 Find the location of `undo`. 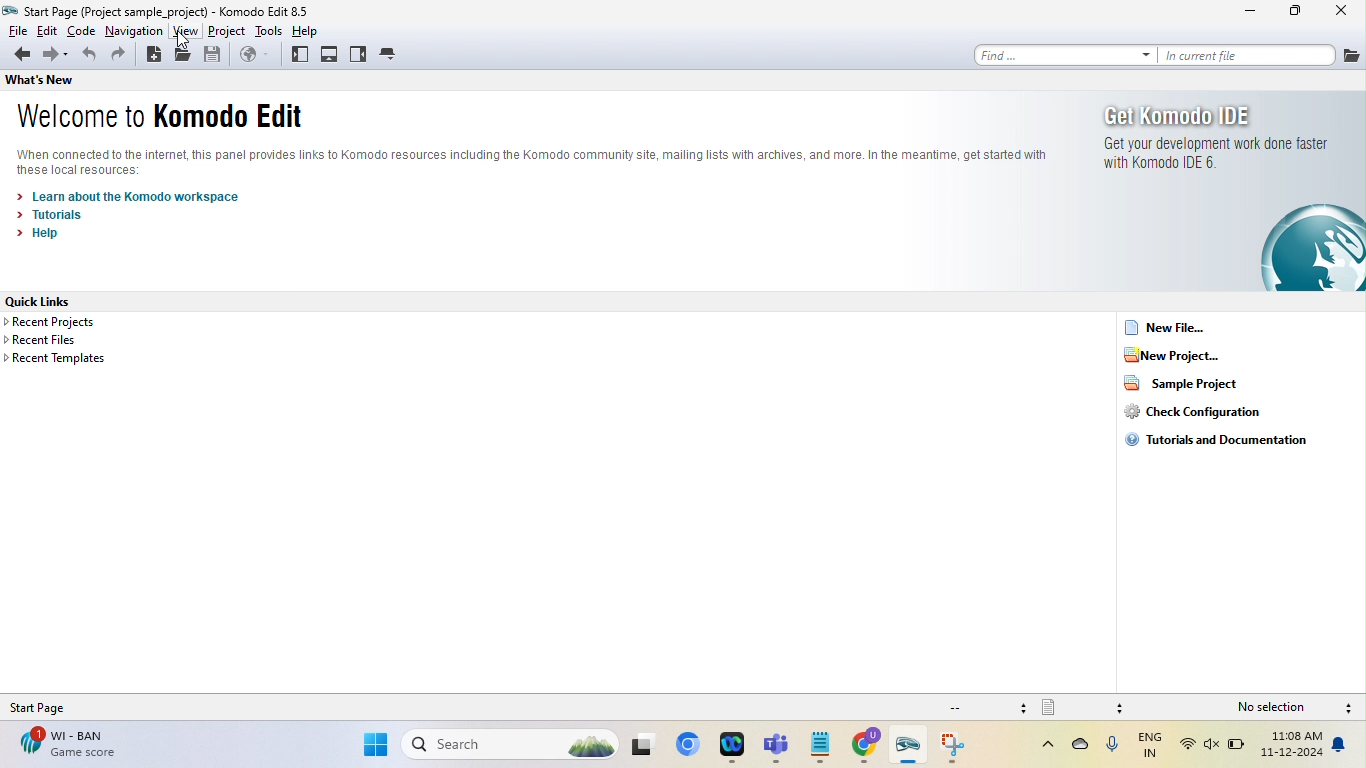

undo is located at coordinates (90, 57).